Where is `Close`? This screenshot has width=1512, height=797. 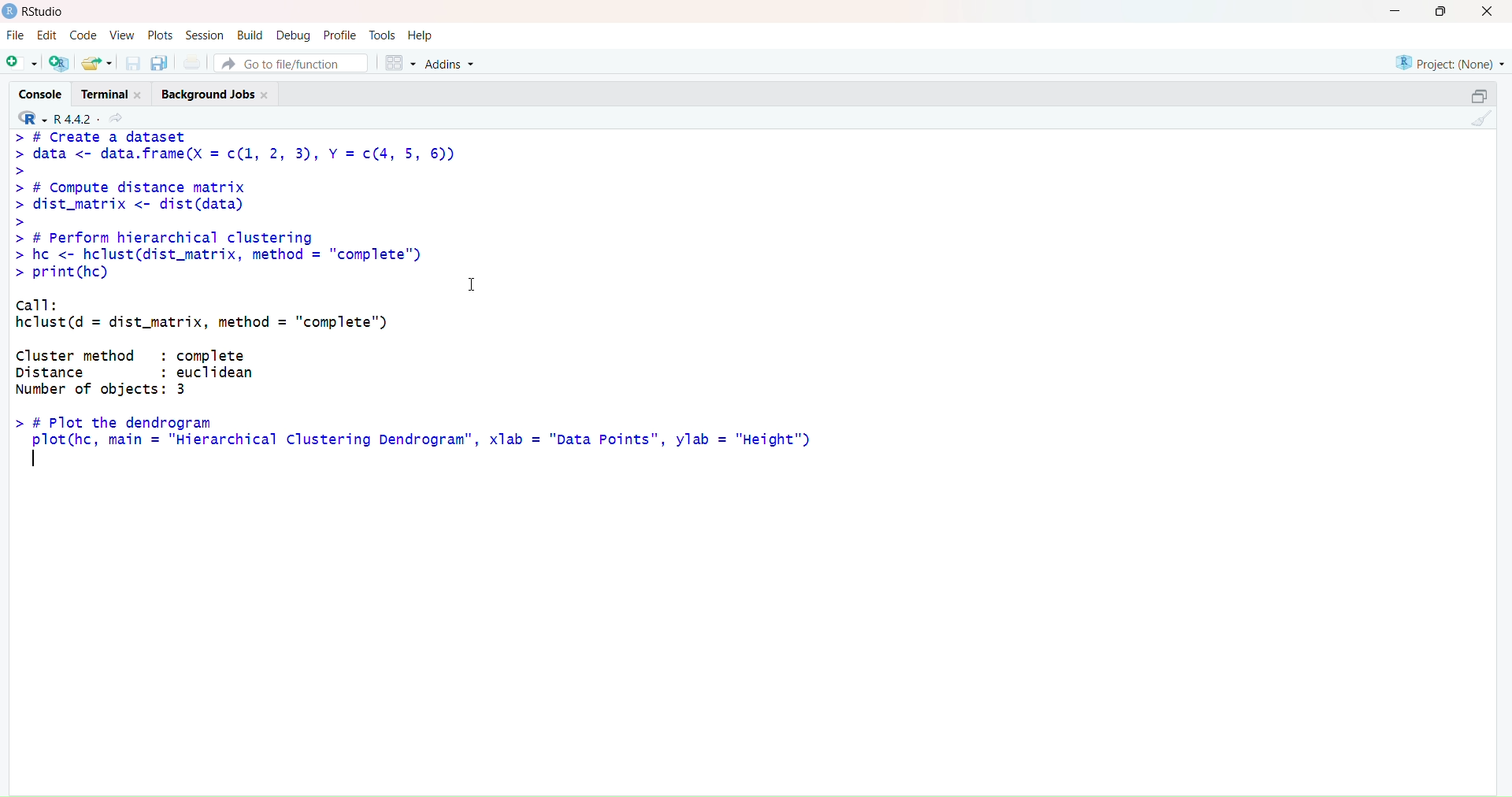
Close is located at coordinates (1487, 16).